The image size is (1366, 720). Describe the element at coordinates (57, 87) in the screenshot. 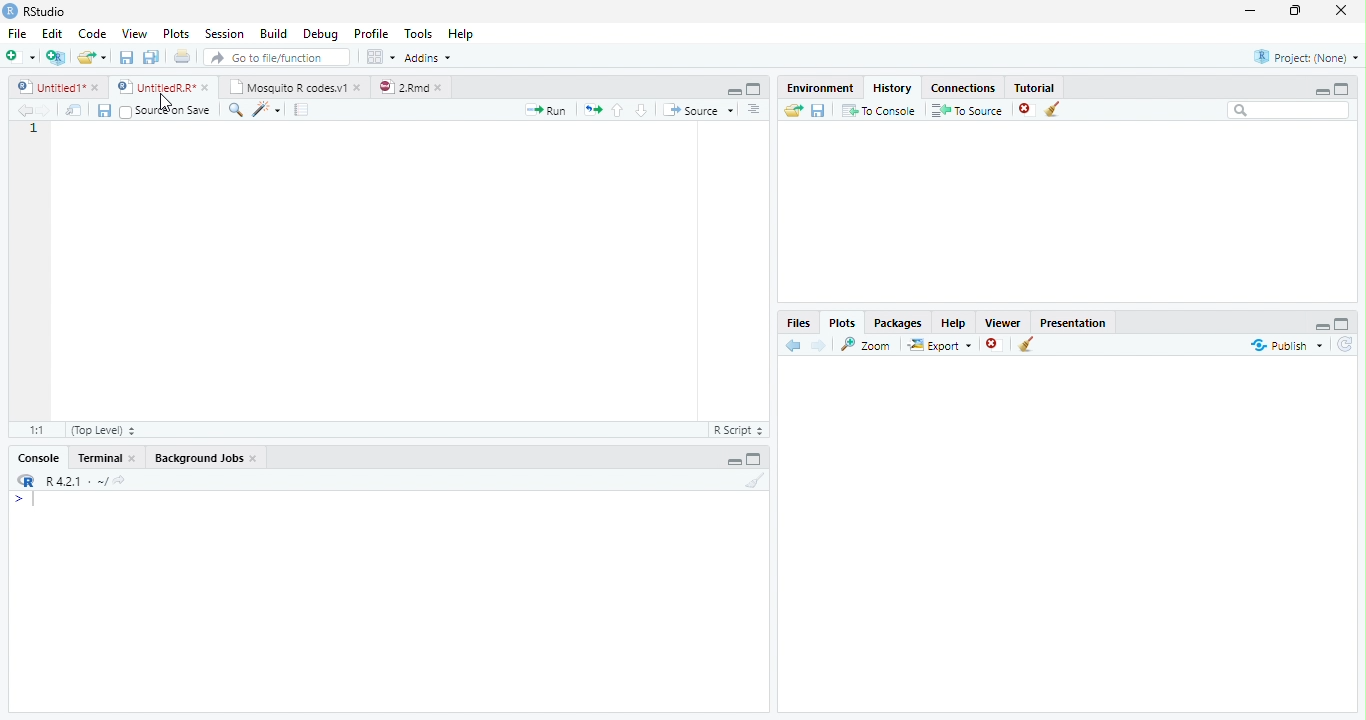

I see `Ungitied1*` at that location.